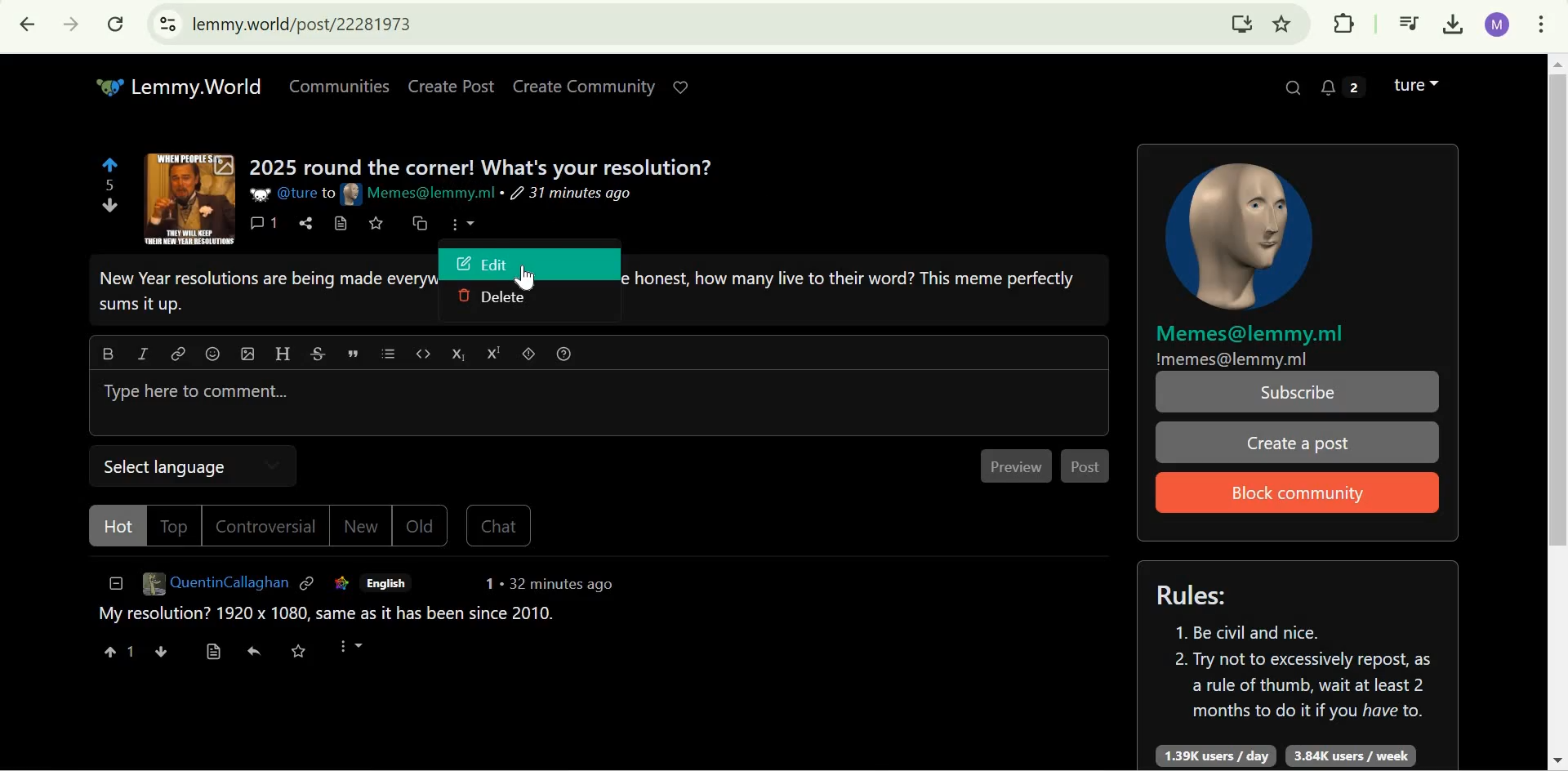 This screenshot has width=1568, height=771. I want to click on expand here, so click(189, 200).